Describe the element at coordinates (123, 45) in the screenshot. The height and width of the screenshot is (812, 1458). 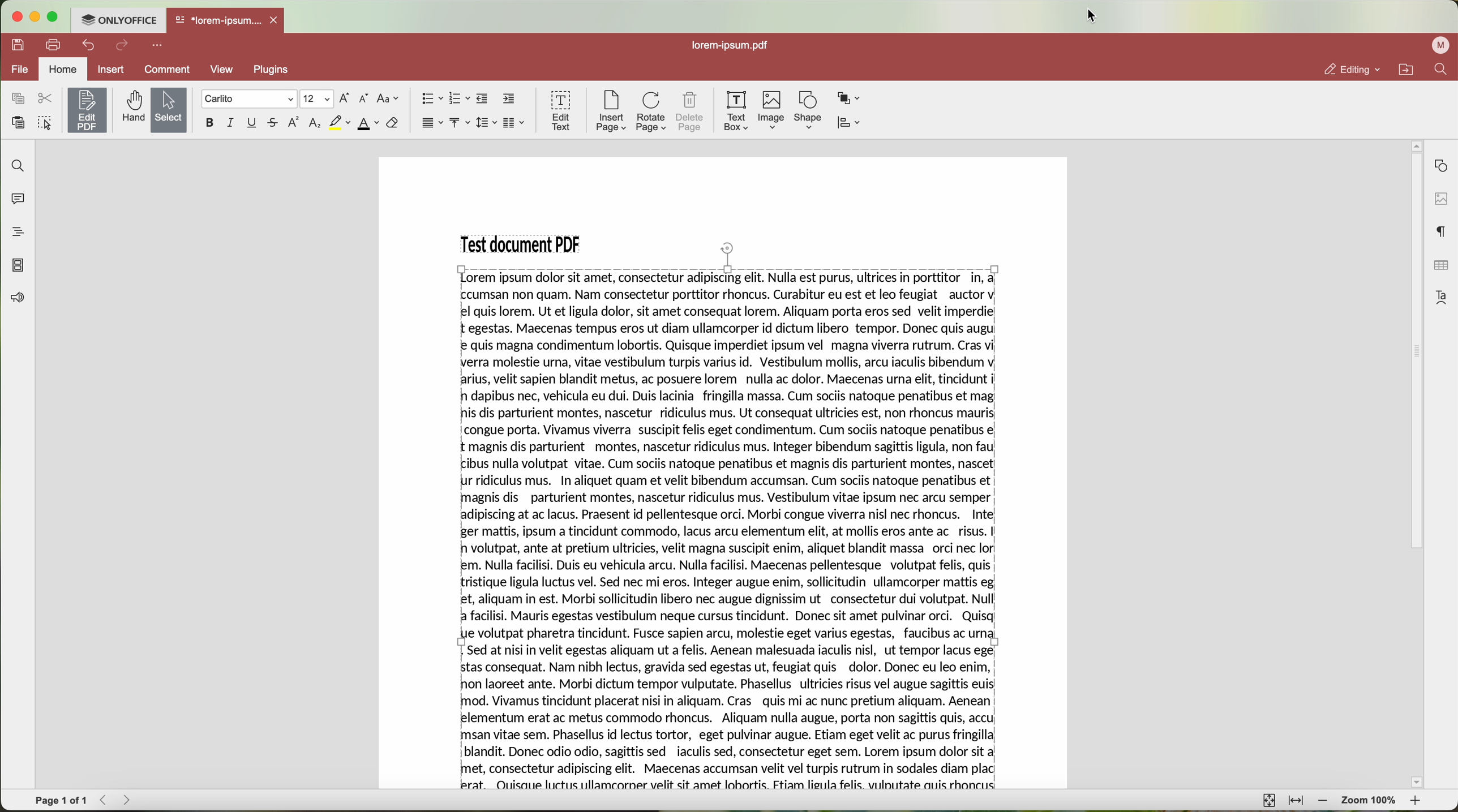
I see `redo` at that location.